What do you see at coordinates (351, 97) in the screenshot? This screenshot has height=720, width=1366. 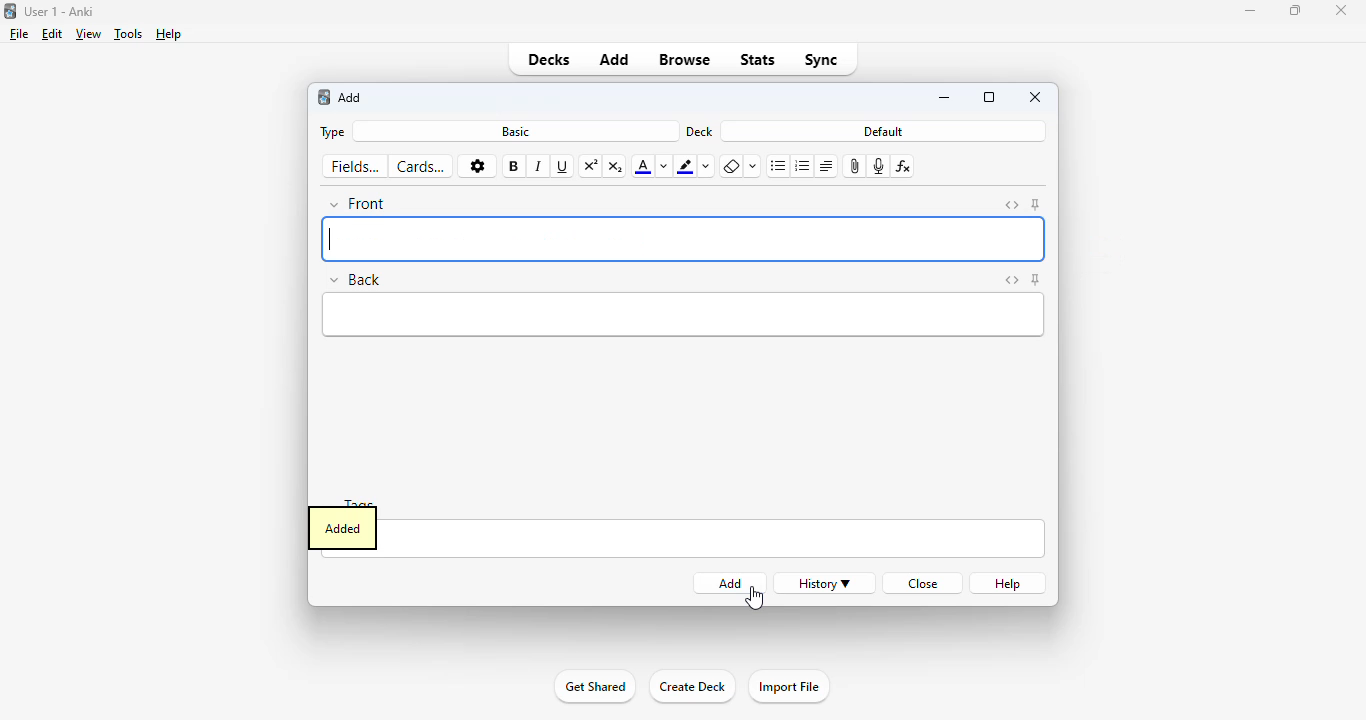 I see `add` at bounding box center [351, 97].